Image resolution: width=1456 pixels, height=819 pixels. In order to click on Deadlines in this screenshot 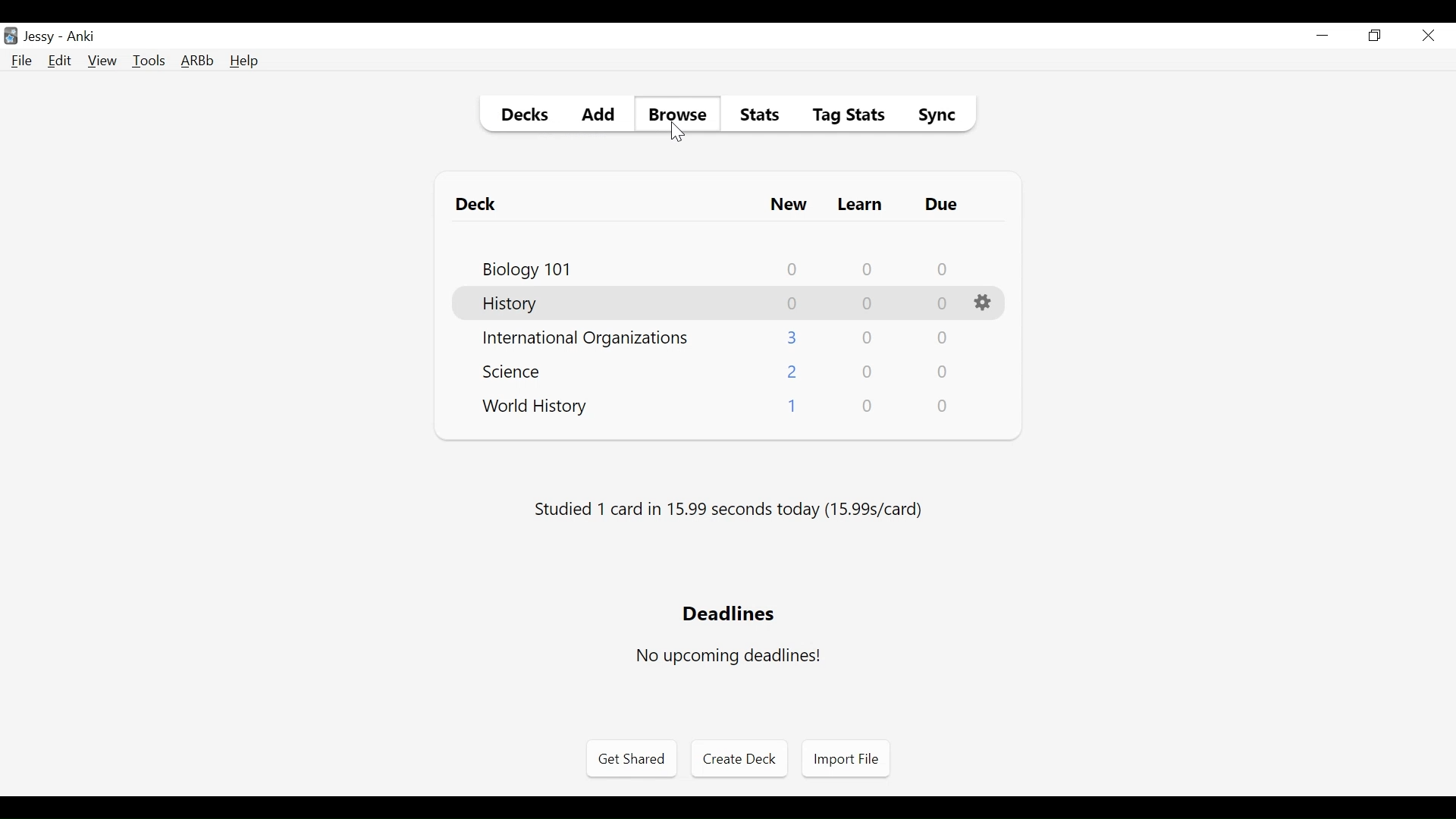, I will do `click(727, 613)`.